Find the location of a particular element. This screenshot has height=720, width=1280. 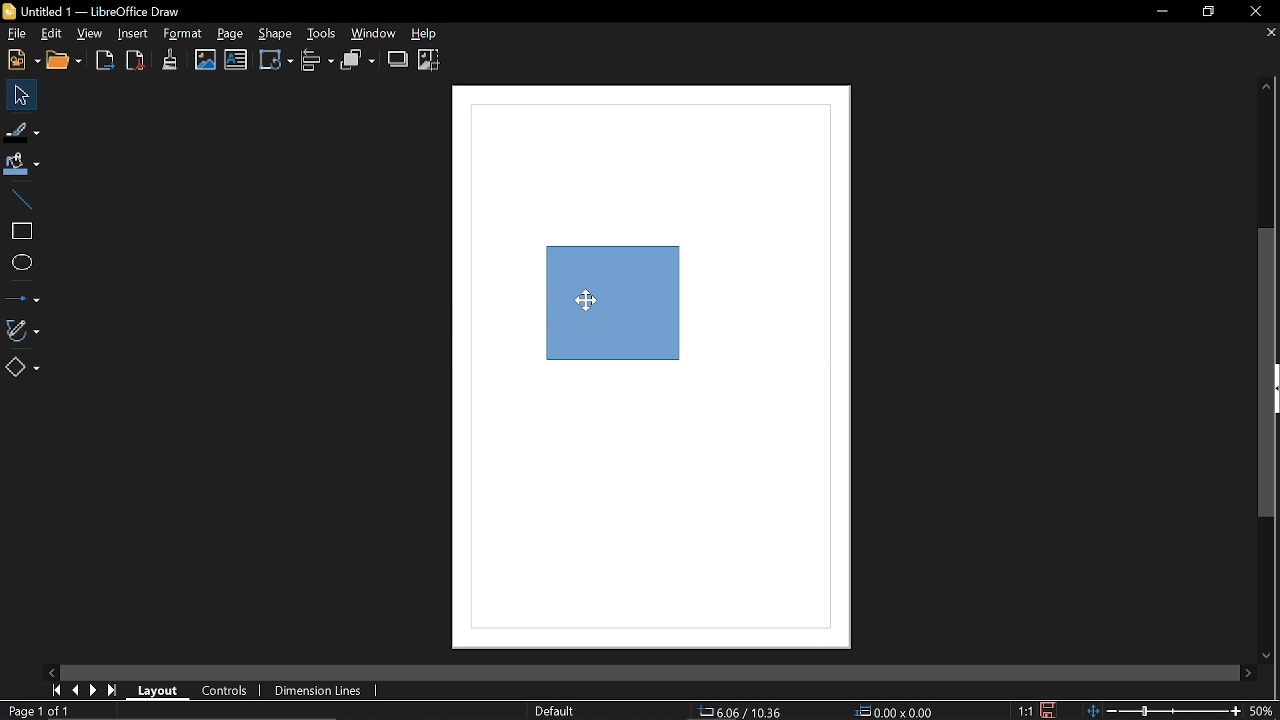

CLose is located at coordinates (1256, 12).